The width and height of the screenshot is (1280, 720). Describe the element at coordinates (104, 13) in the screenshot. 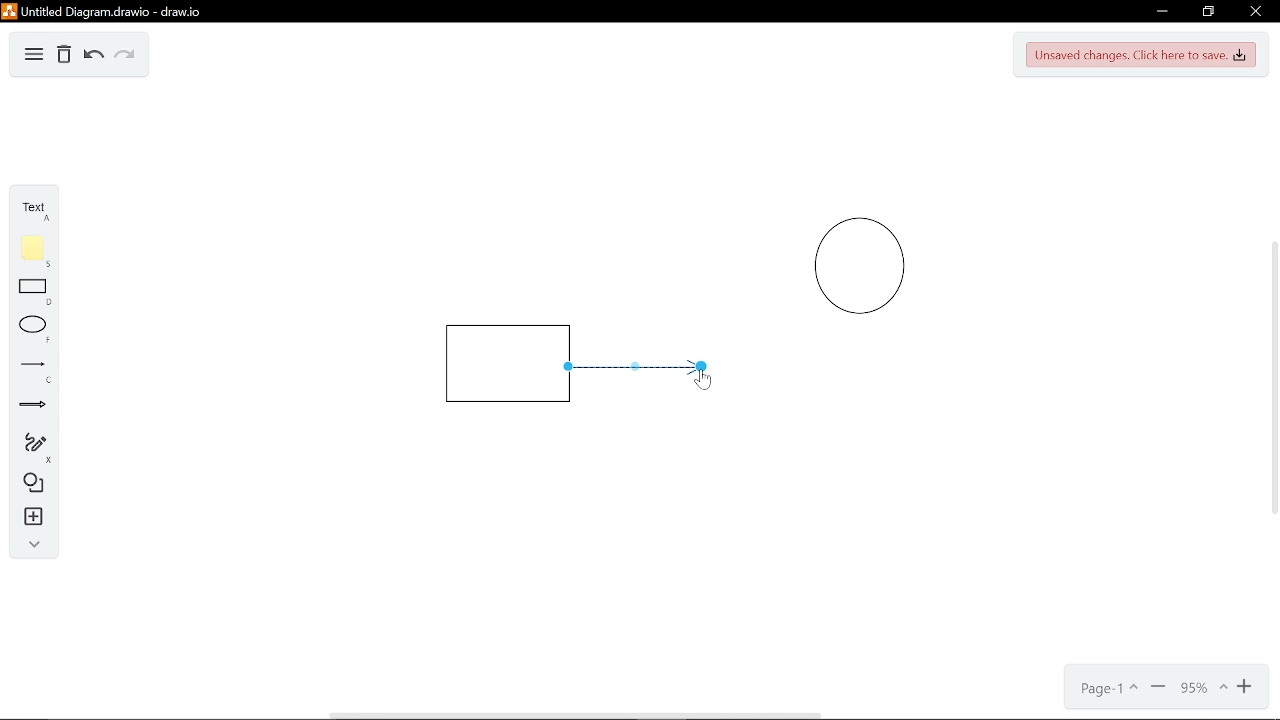

I see `Untitled diagram drawio` at that location.